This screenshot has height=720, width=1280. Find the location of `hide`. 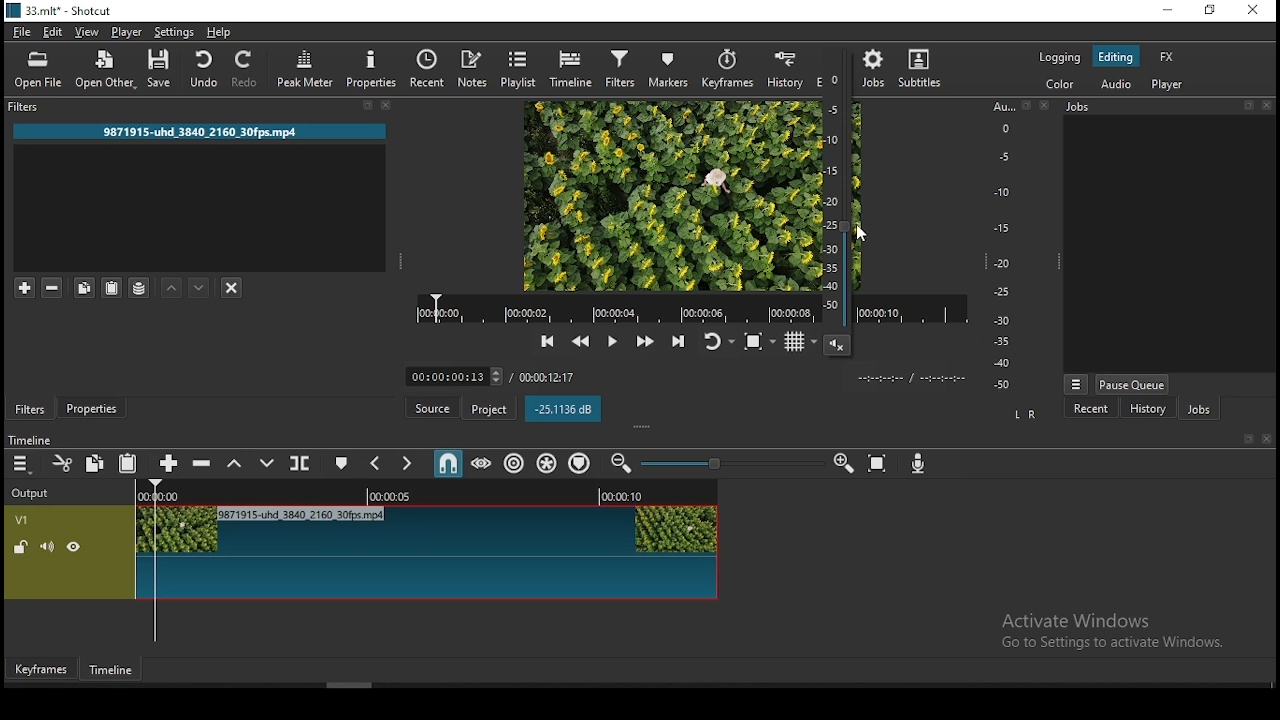

hide is located at coordinates (74, 547).